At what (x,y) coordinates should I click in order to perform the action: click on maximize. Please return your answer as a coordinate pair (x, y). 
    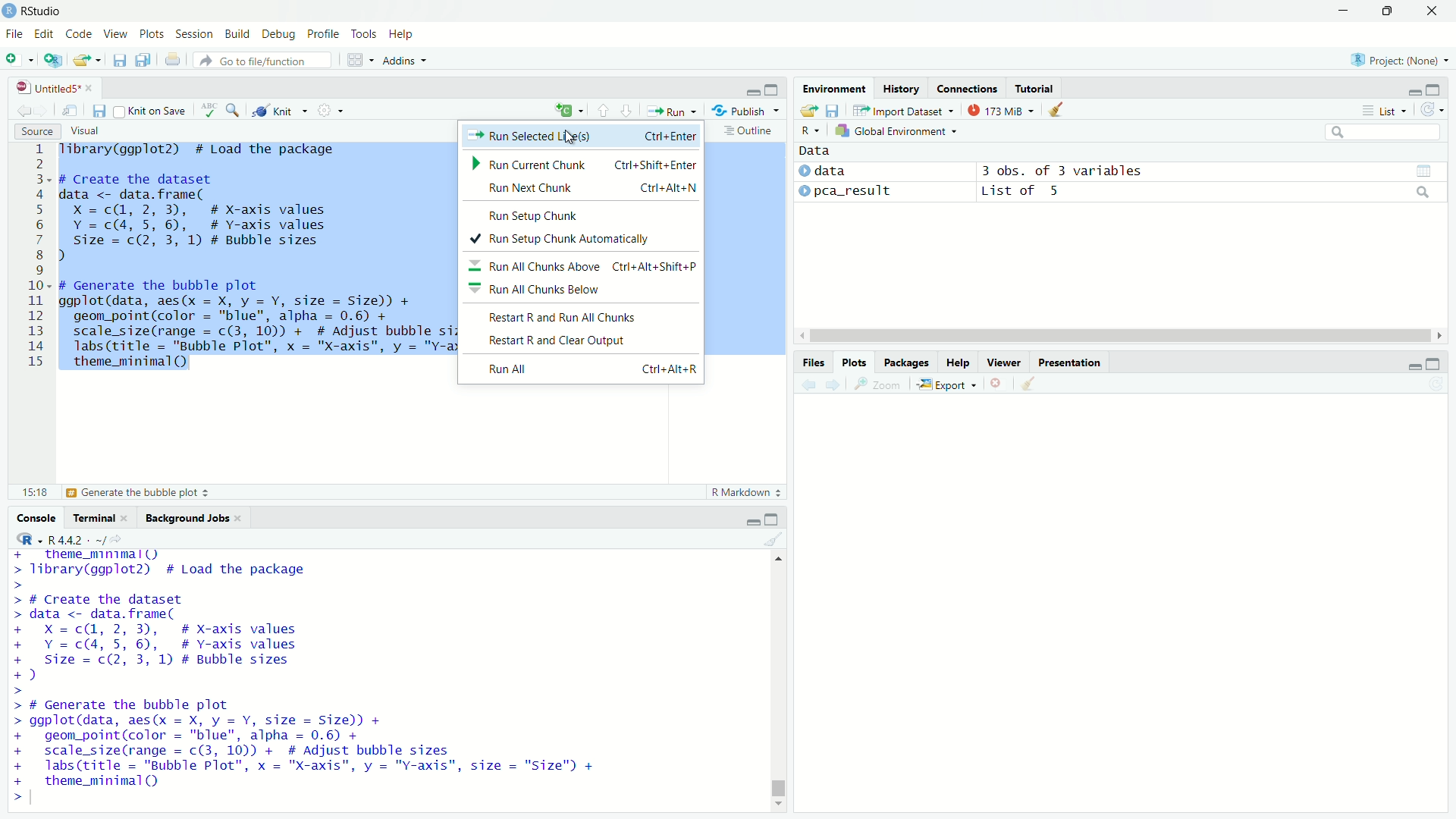
    Looking at the image, I should click on (1436, 363).